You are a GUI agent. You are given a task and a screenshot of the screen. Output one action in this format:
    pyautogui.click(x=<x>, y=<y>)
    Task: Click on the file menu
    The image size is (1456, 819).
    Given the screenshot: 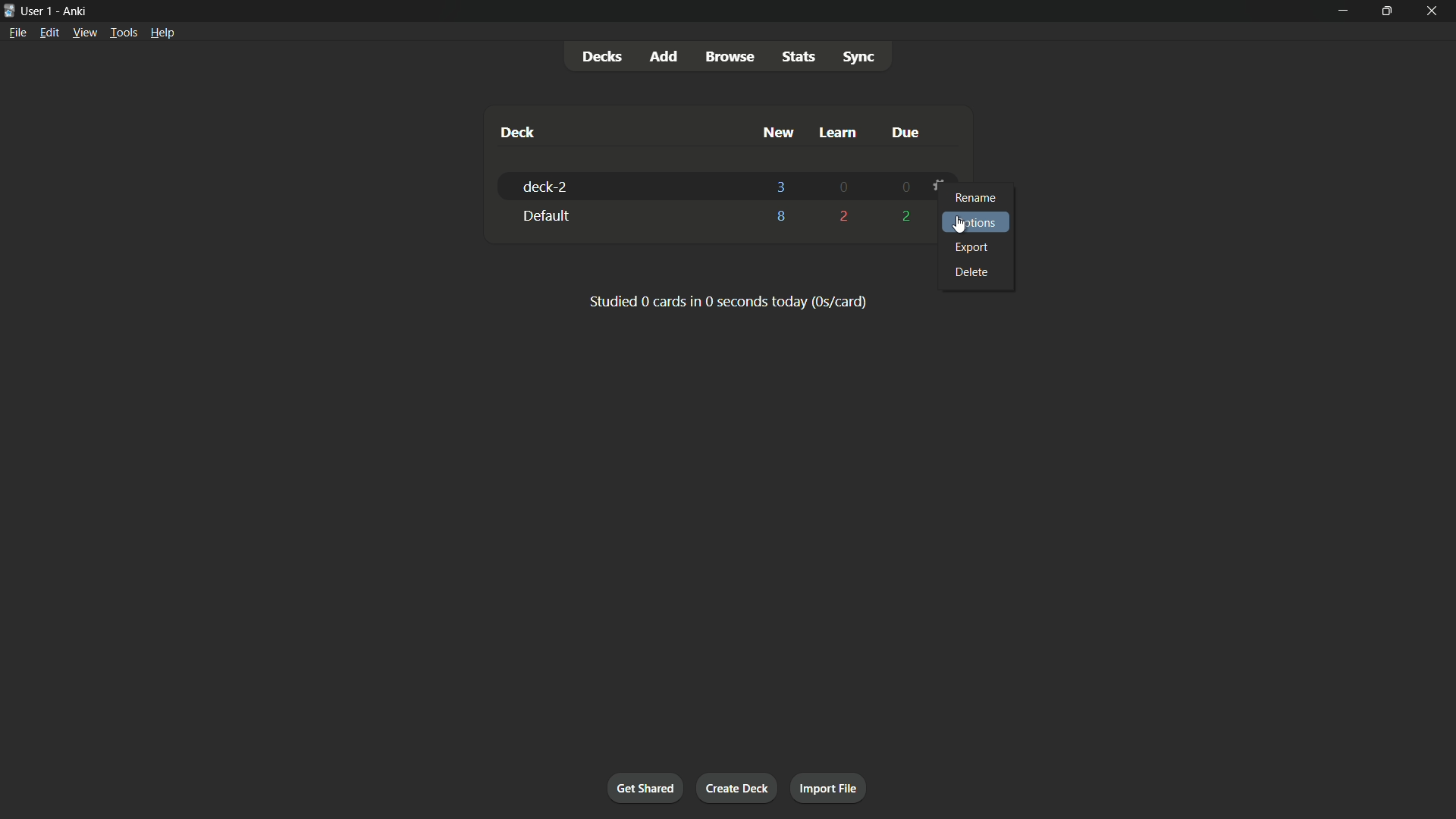 What is the action you would take?
    pyautogui.click(x=17, y=33)
    